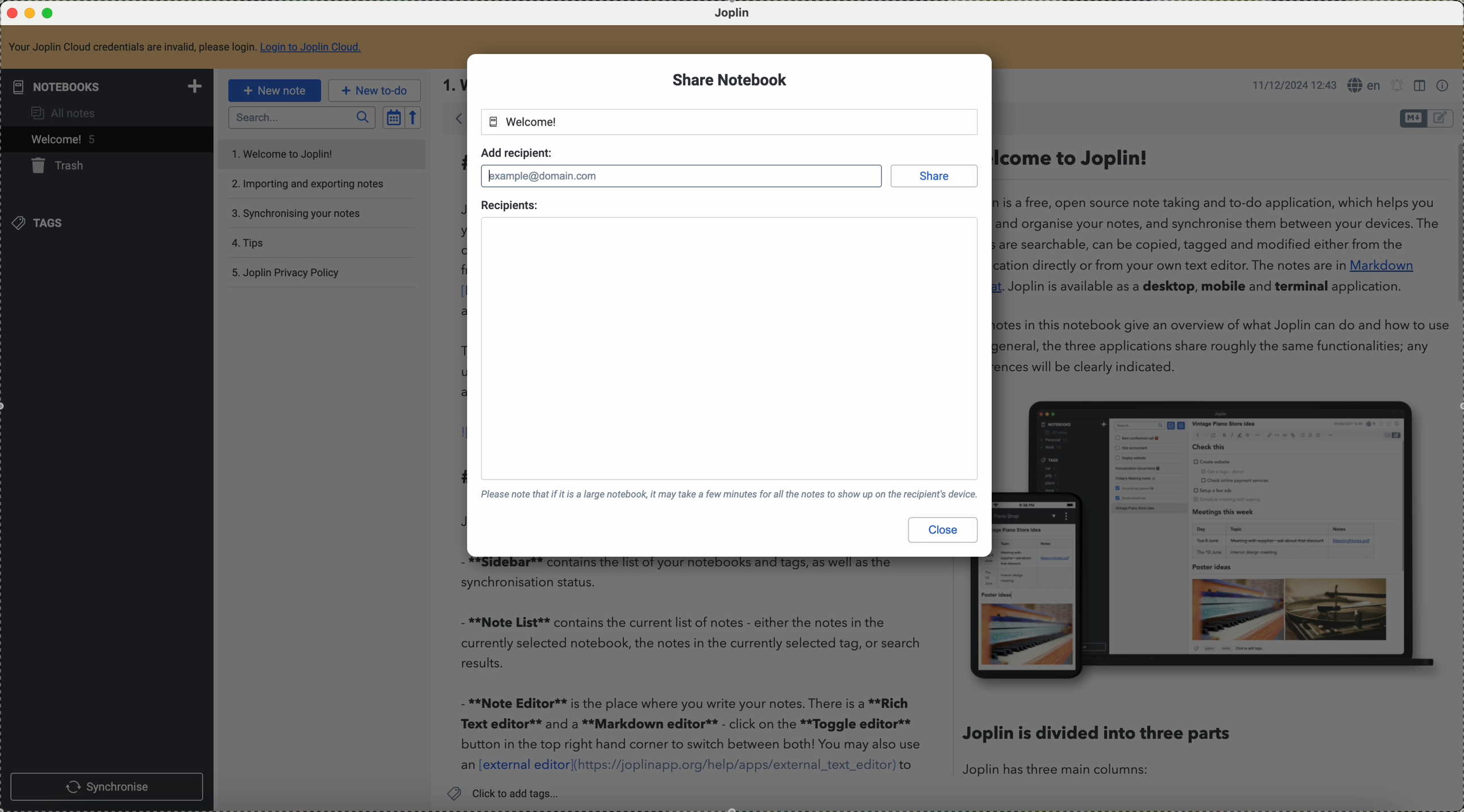 This screenshot has width=1464, height=812. What do you see at coordinates (523, 122) in the screenshot?
I see `welcome notebook` at bounding box center [523, 122].